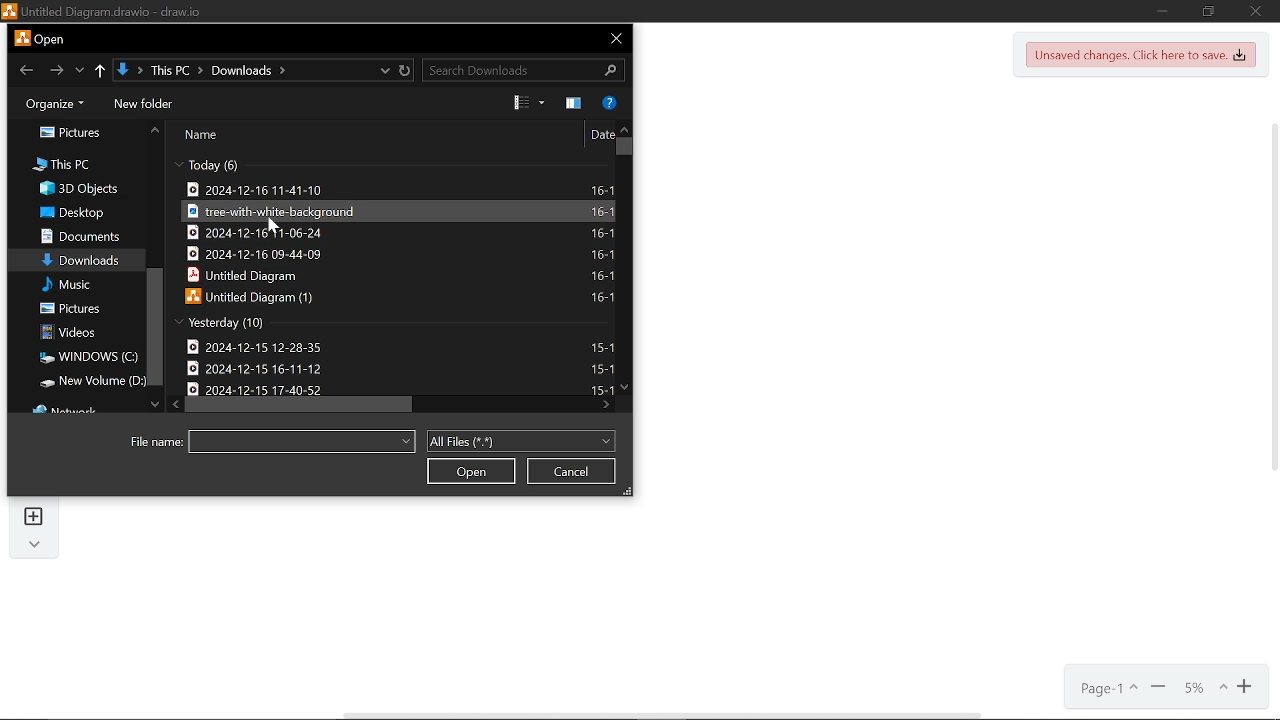 The width and height of the screenshot is (1280, 720). What do you see at coordinates (34, 517) in the screenshot?
I see `insert` at bounding box center [34, 517].